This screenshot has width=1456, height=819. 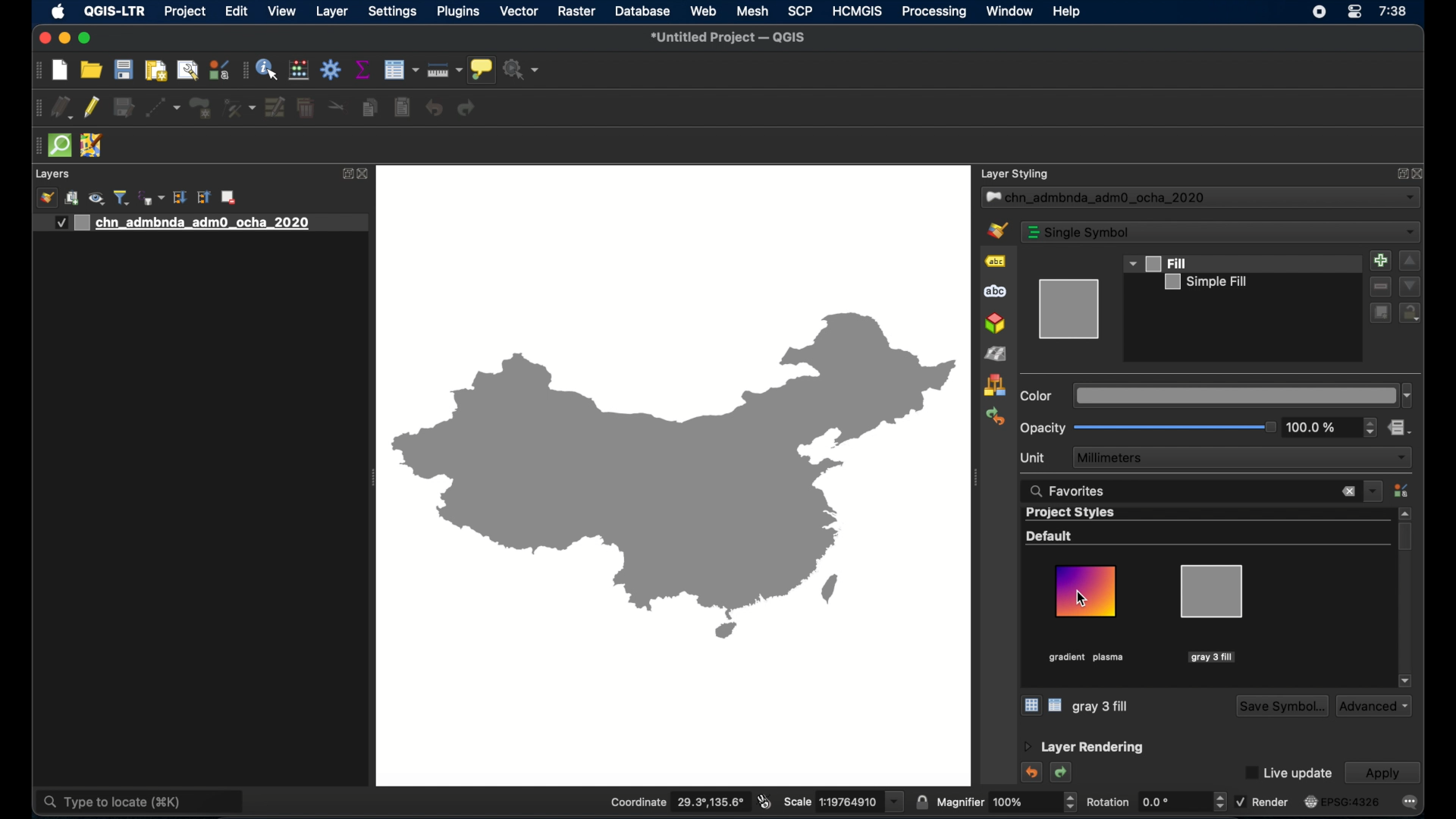 I want to click on time, so click(x=1394, y=11).